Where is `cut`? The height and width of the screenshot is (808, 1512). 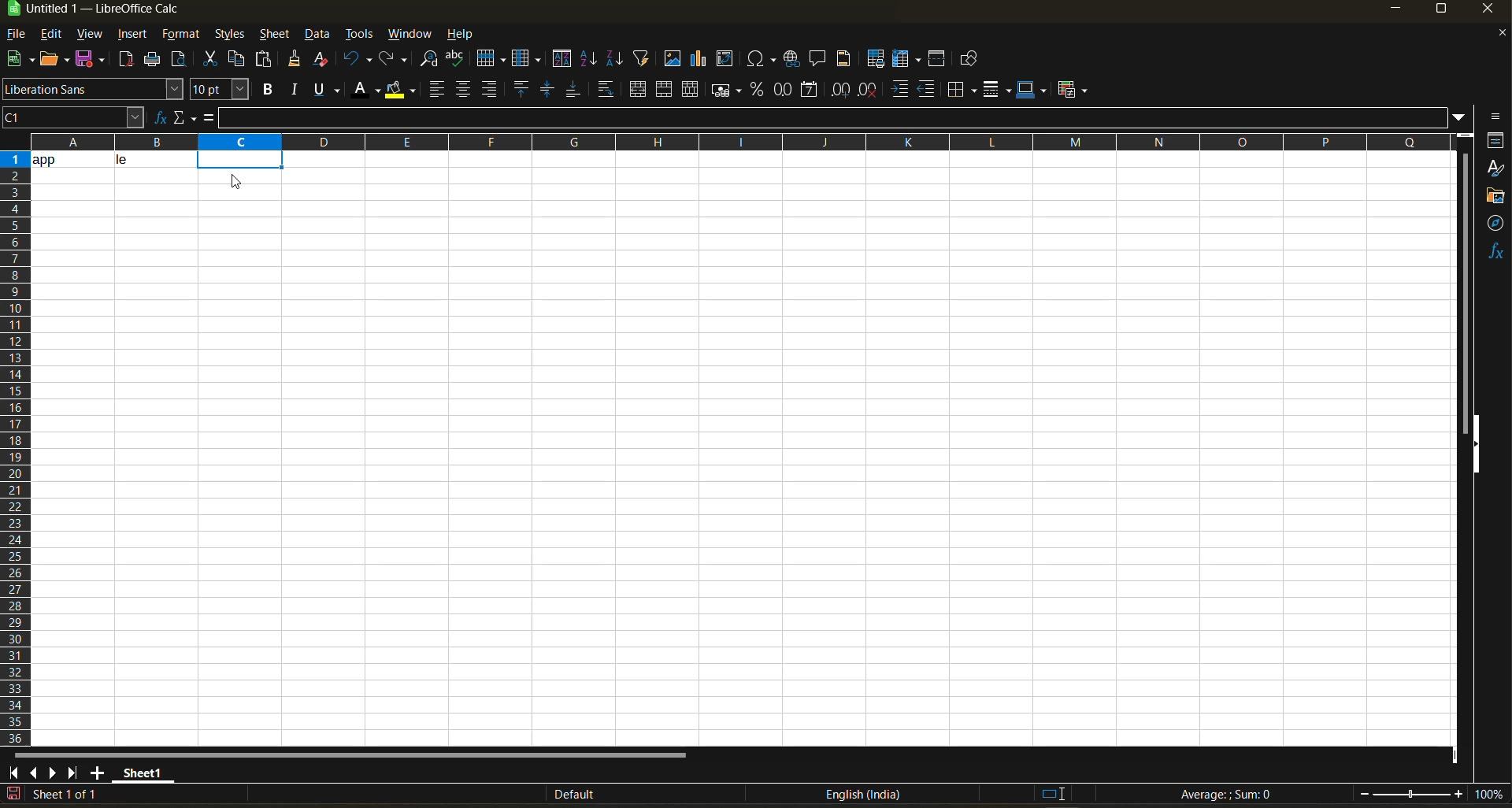
cut is located at coordinates (213, 60).